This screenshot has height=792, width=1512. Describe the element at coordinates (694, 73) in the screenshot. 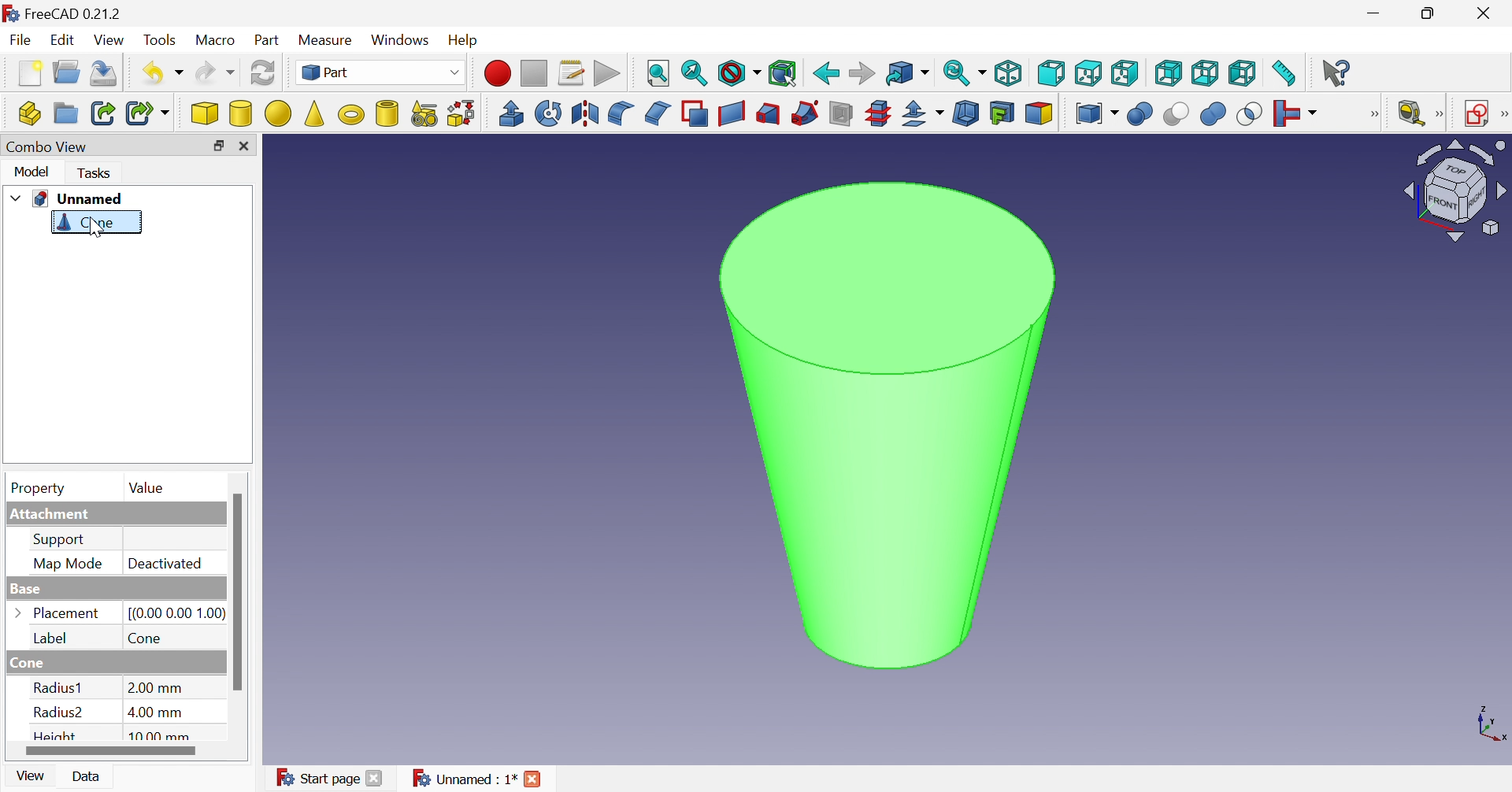

I see `Fit selection` at that location.